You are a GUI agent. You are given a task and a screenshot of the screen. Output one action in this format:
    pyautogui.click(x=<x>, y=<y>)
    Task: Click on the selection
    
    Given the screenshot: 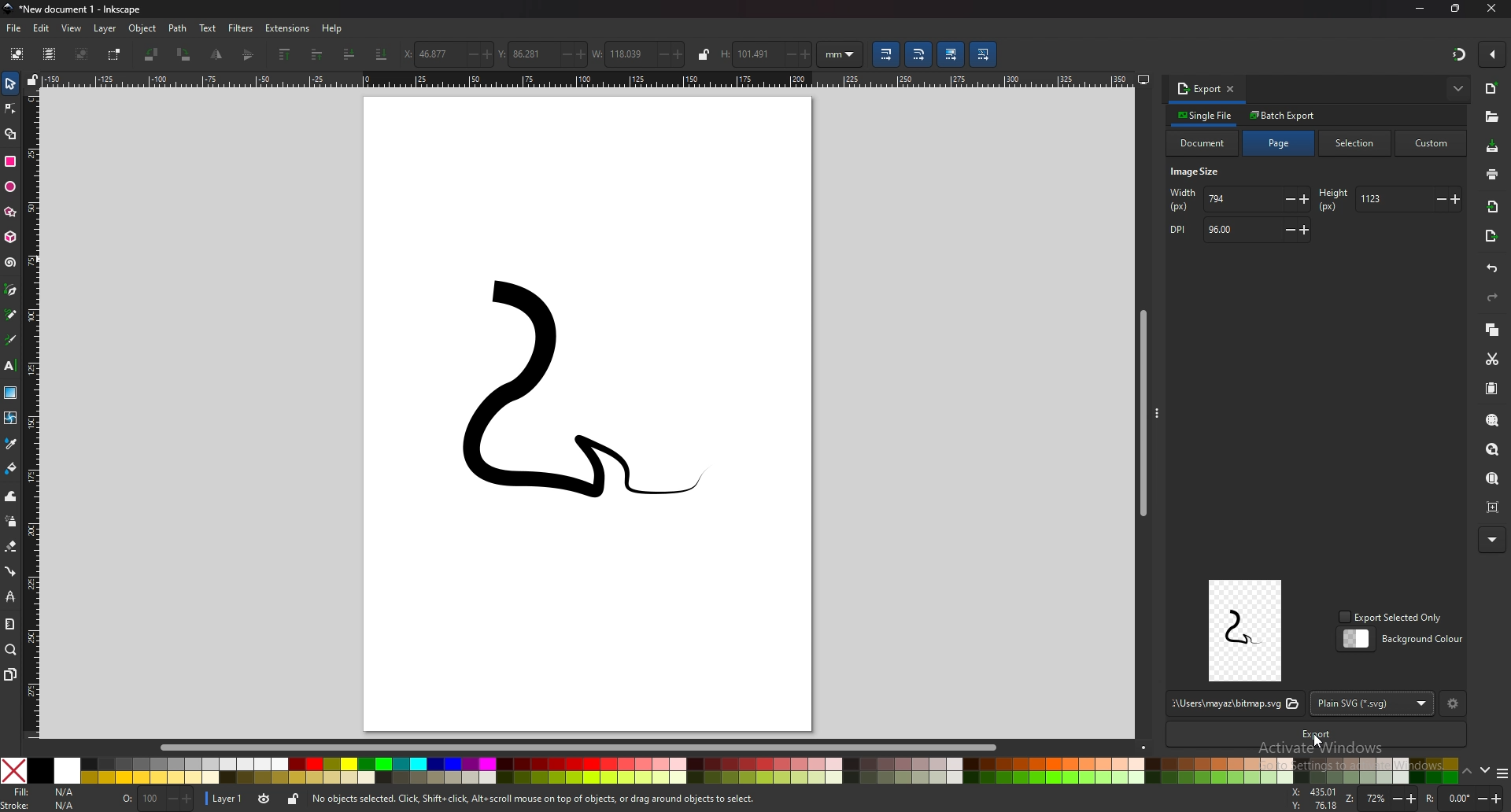 What is the action you would take?
    pyautogui.click(x=1358, y=142)
    